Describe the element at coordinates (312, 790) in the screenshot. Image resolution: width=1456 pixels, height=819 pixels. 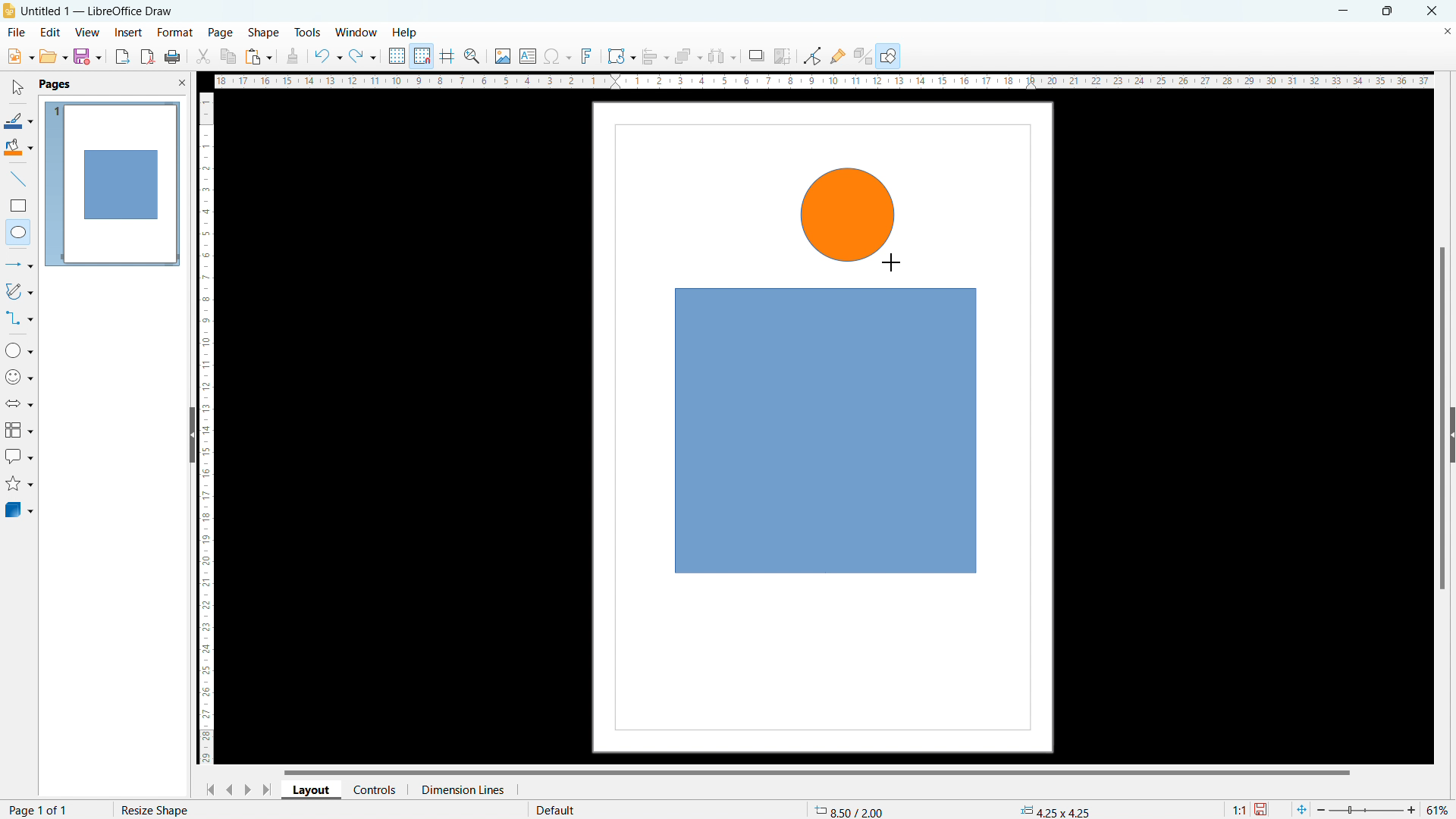
I see `layout` at that location.